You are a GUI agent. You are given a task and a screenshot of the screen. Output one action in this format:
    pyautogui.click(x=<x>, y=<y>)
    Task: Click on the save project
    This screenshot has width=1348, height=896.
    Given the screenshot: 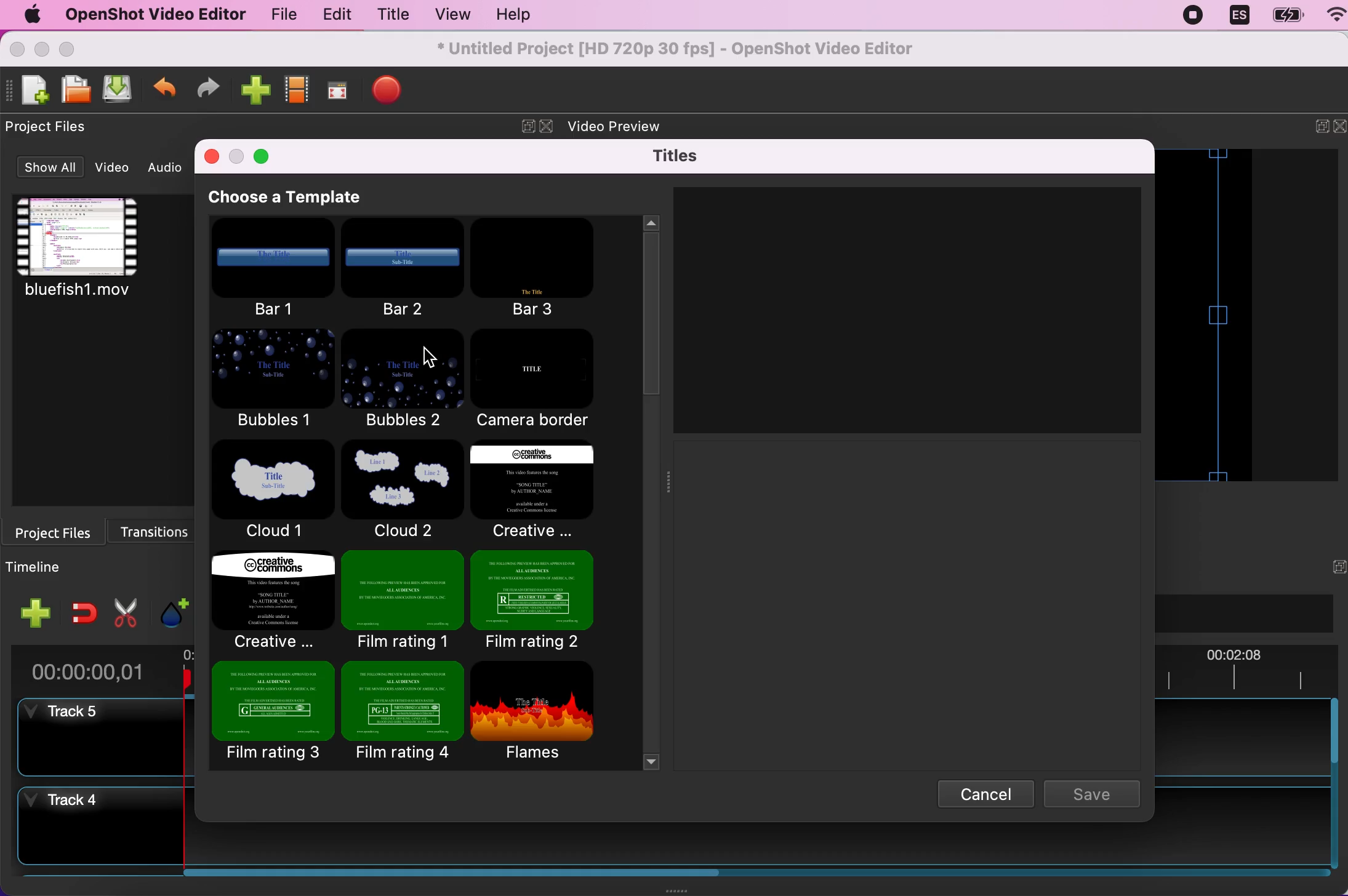 What is the action you would take?
    pyautogui.click(x=116, y=90)
    